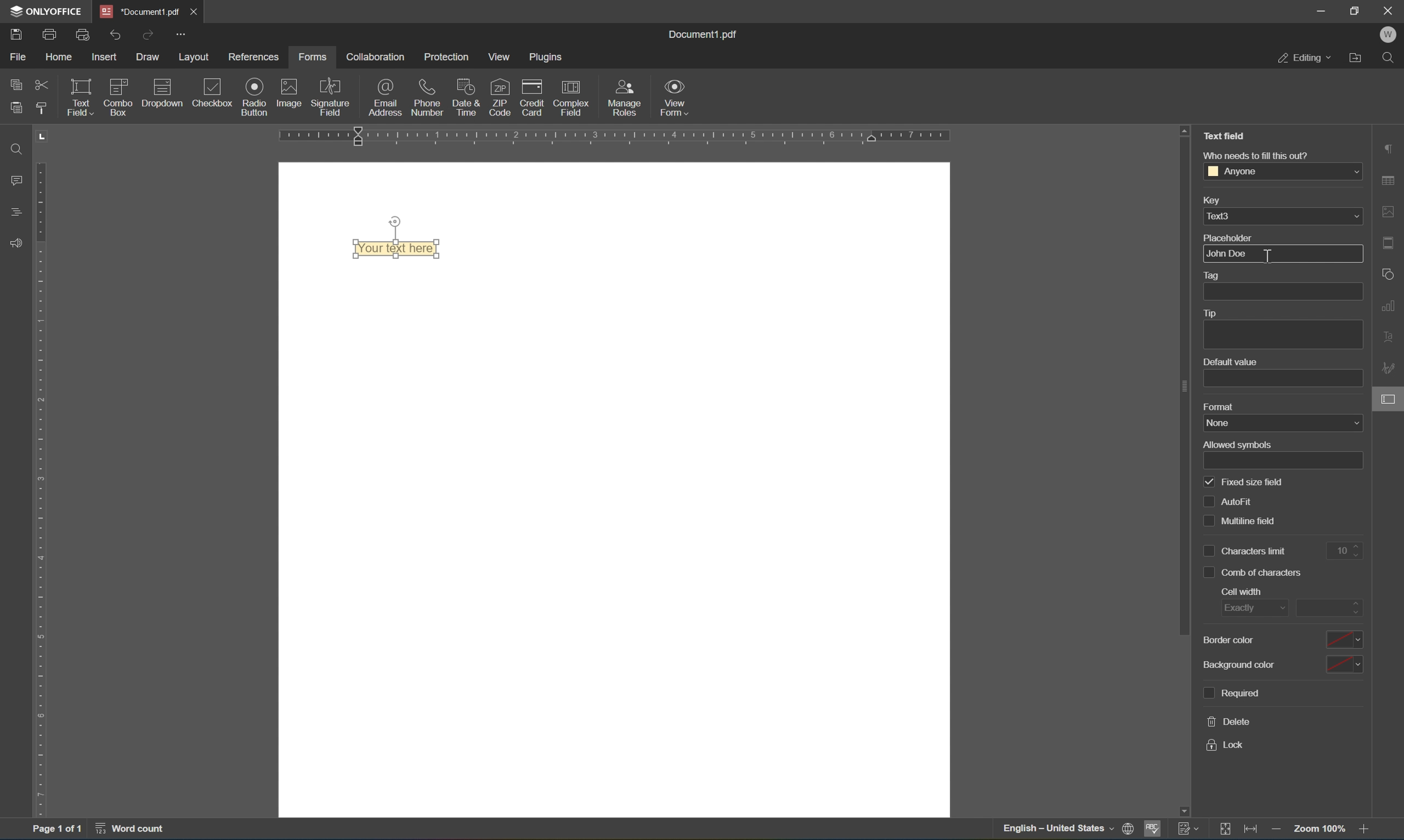  I want to click on characters limit, so click(1247, 552).